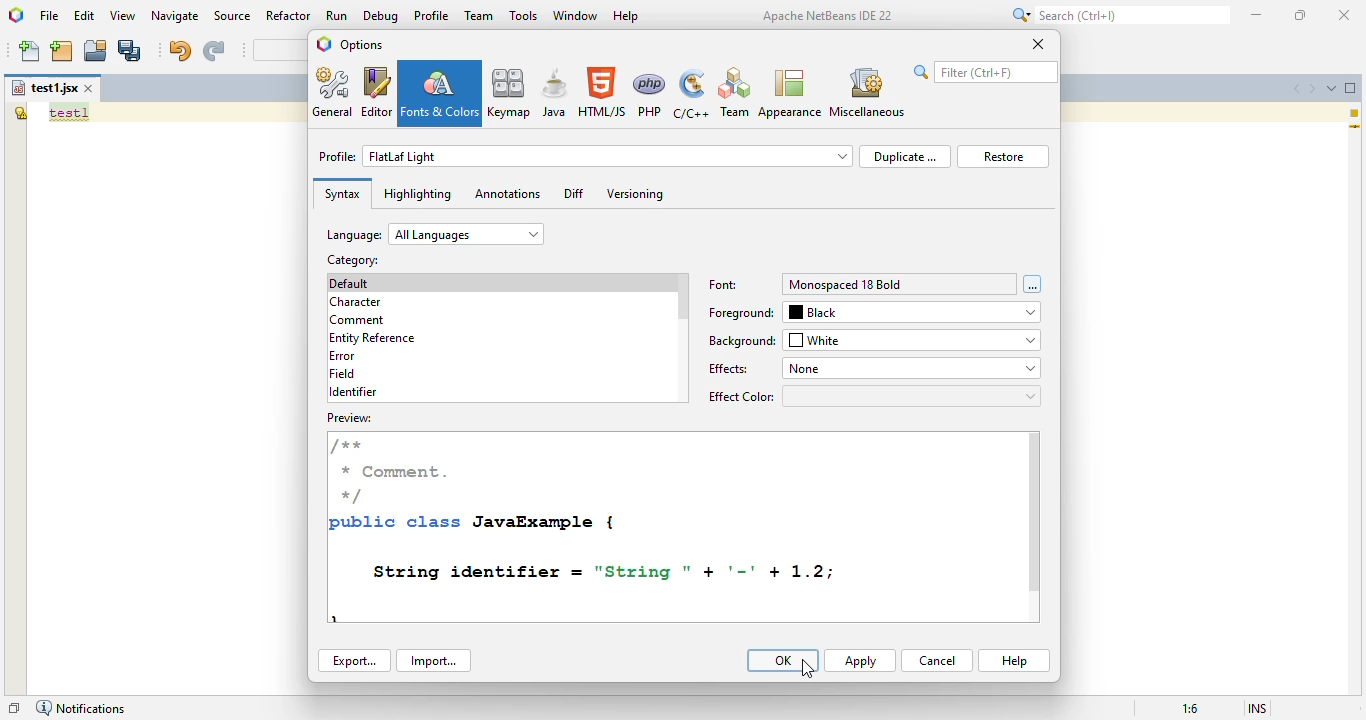 The height and width of the screenshot is (720, 1366). Describe the element at coordinates (31, 51) in the screenshot. I see `new file` at that location.